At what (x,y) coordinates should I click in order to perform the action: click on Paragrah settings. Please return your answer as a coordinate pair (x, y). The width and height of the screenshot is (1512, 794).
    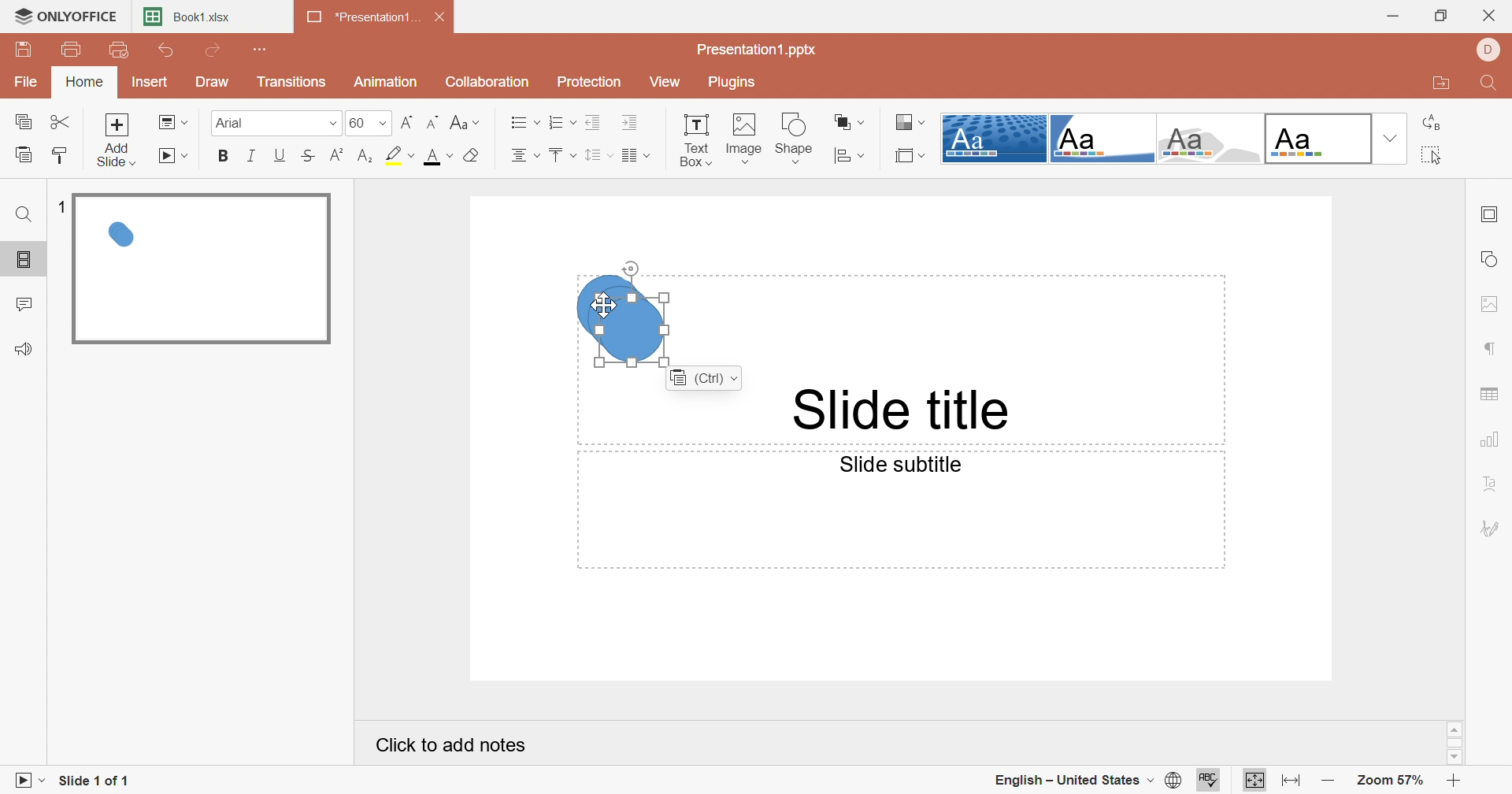
    Looking at the image, I should click on (1492, 347).